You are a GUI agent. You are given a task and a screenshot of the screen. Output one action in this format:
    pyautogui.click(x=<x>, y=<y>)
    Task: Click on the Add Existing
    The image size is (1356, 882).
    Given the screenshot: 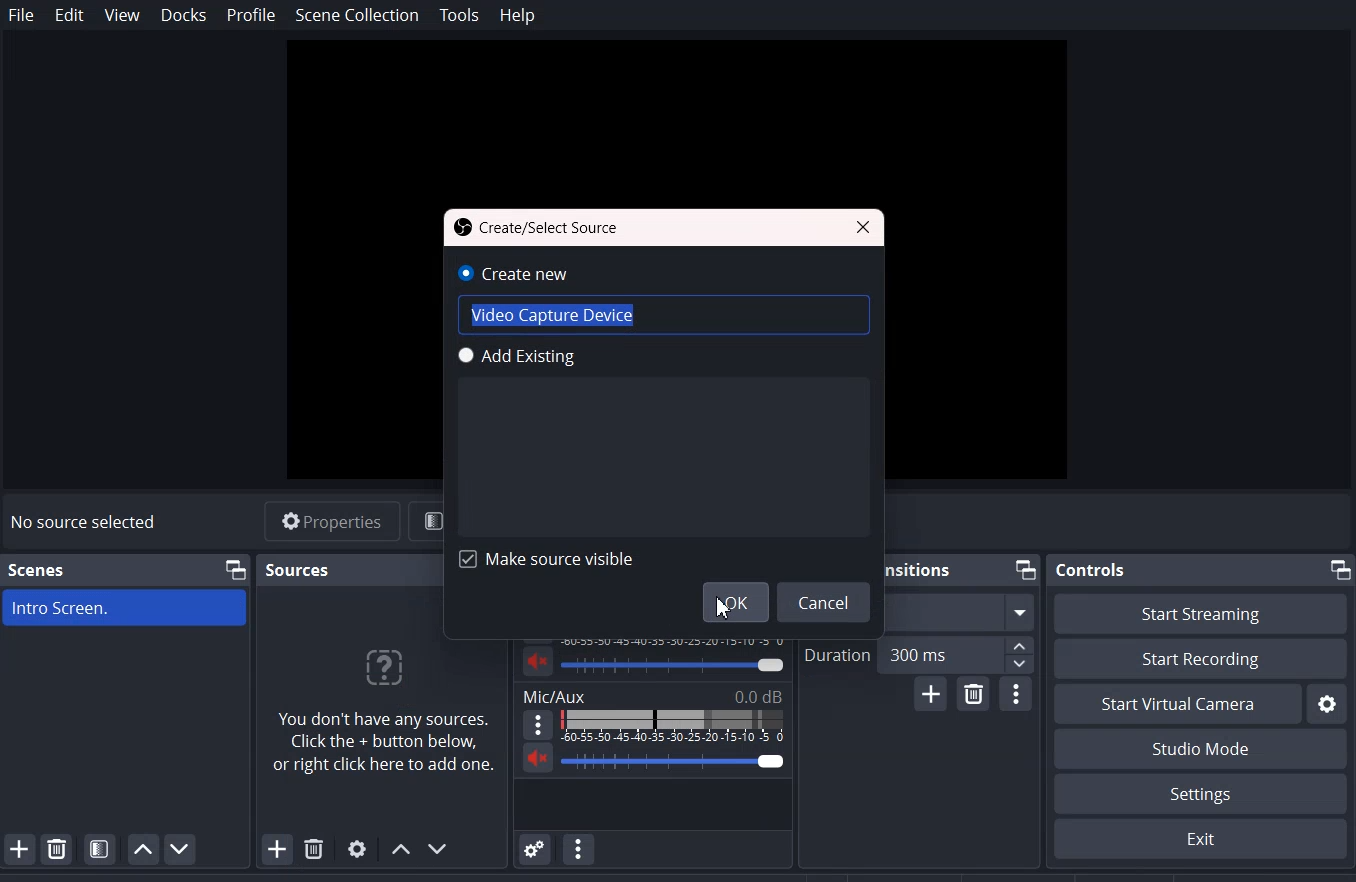 What is the action you would take?
    pyautogui.click(x=665, y=399)
    